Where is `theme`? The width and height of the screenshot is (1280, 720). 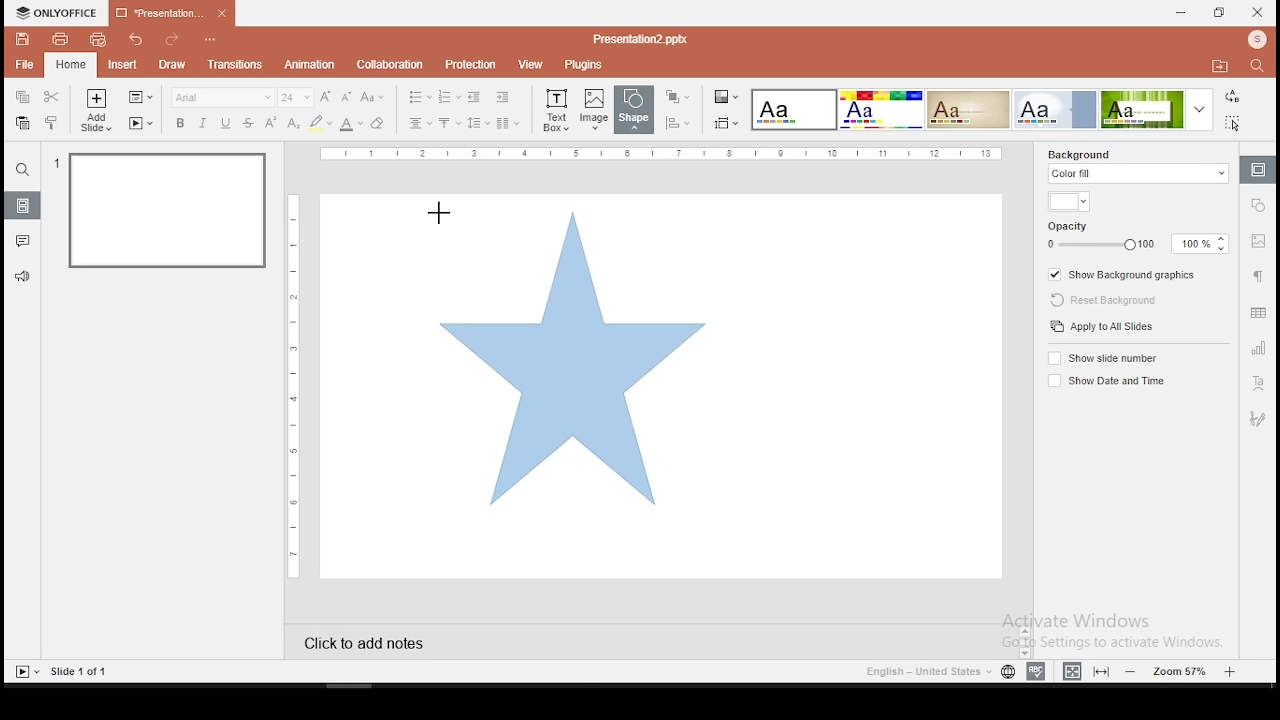
theme is located at coordinates (968, 110).